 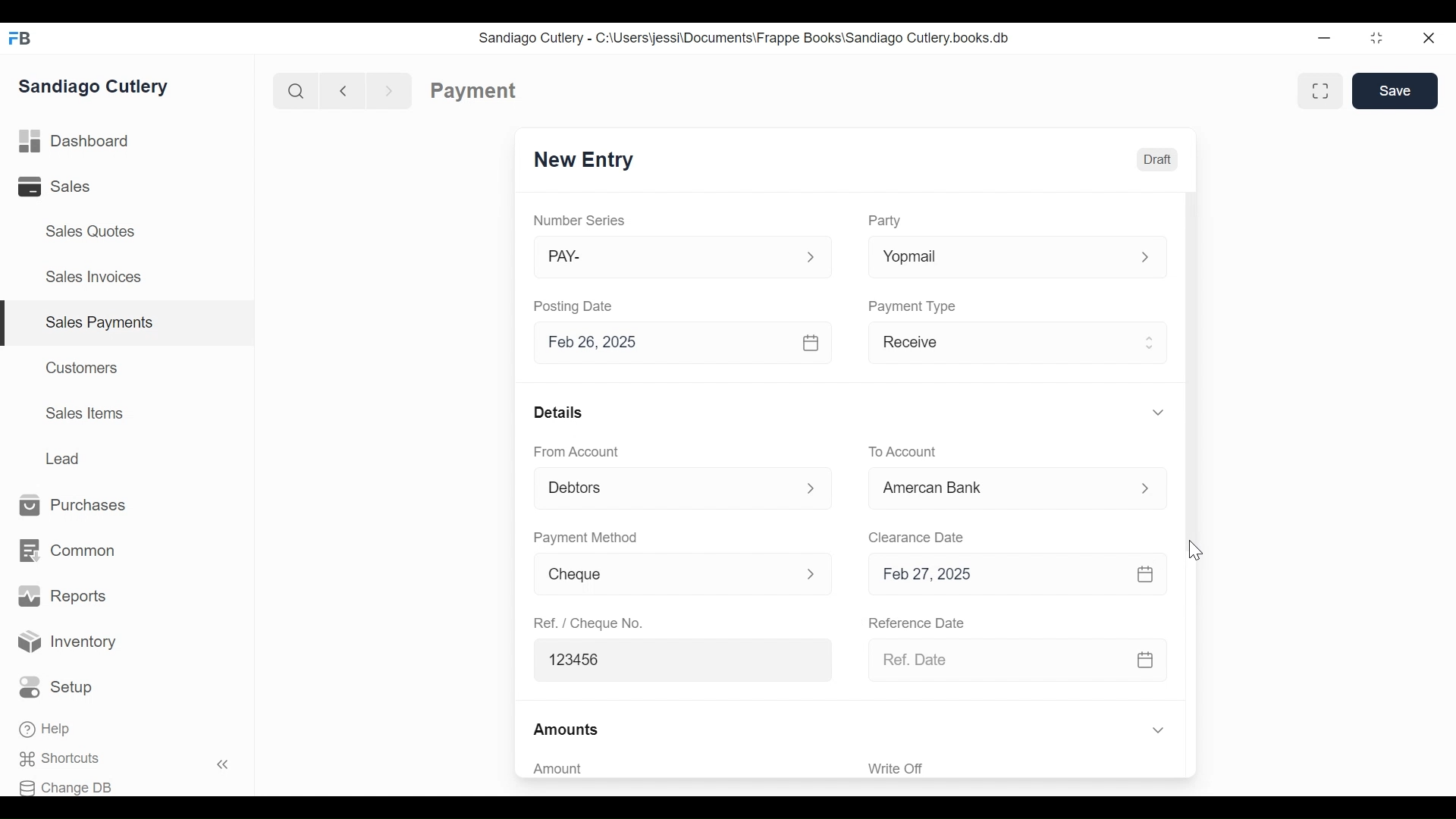 What do you see at coordinates (811, 573) in the screenshot?
I see `Expand` at bounding box center [811, 573].